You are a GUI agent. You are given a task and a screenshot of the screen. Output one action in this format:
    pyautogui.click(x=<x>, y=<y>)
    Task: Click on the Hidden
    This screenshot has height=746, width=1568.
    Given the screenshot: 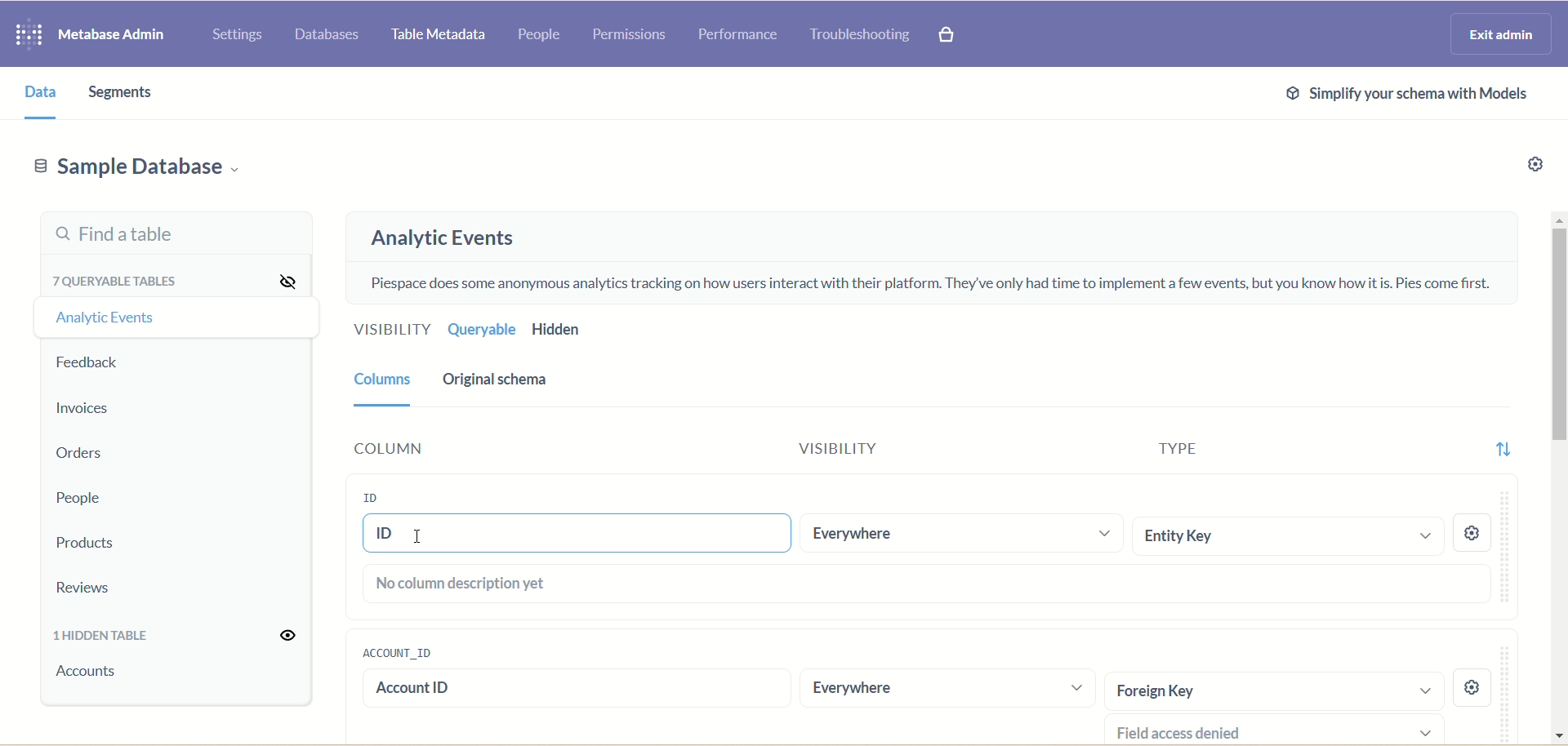 What is the action you would take?
    pyautogui.click(x=559, y=331)
    